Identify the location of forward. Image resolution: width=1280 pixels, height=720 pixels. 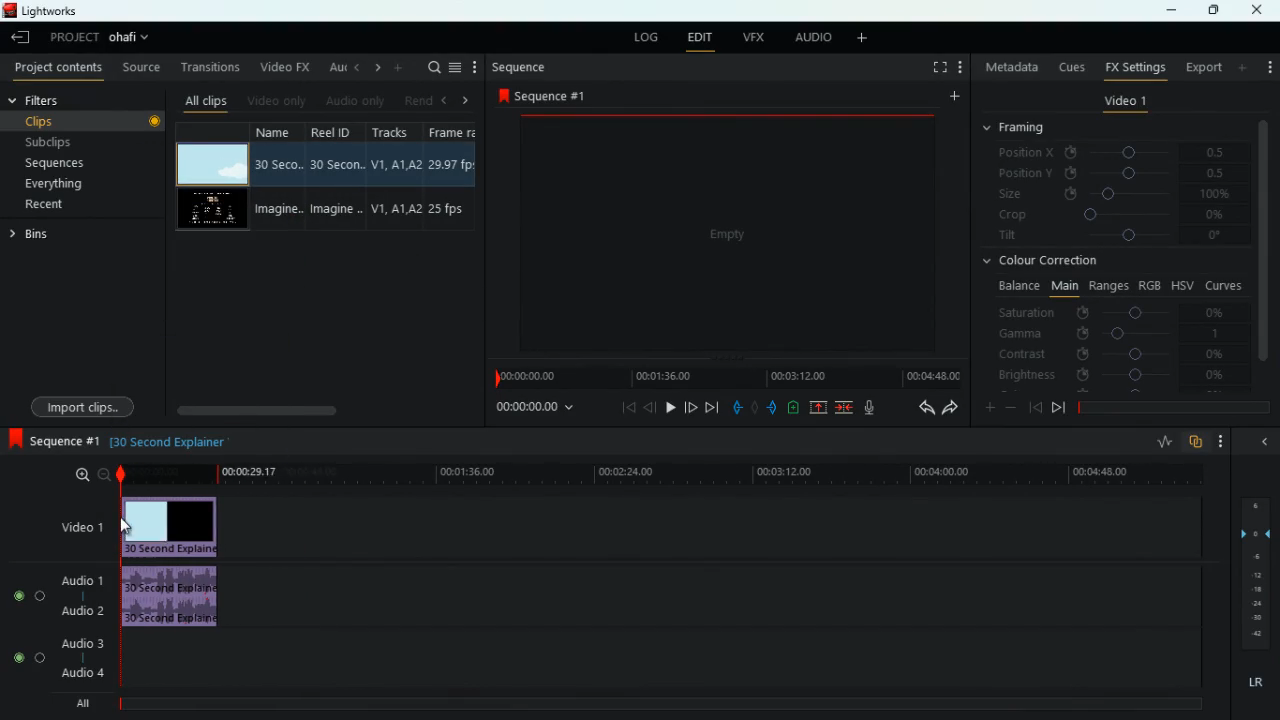
(1058, 410).